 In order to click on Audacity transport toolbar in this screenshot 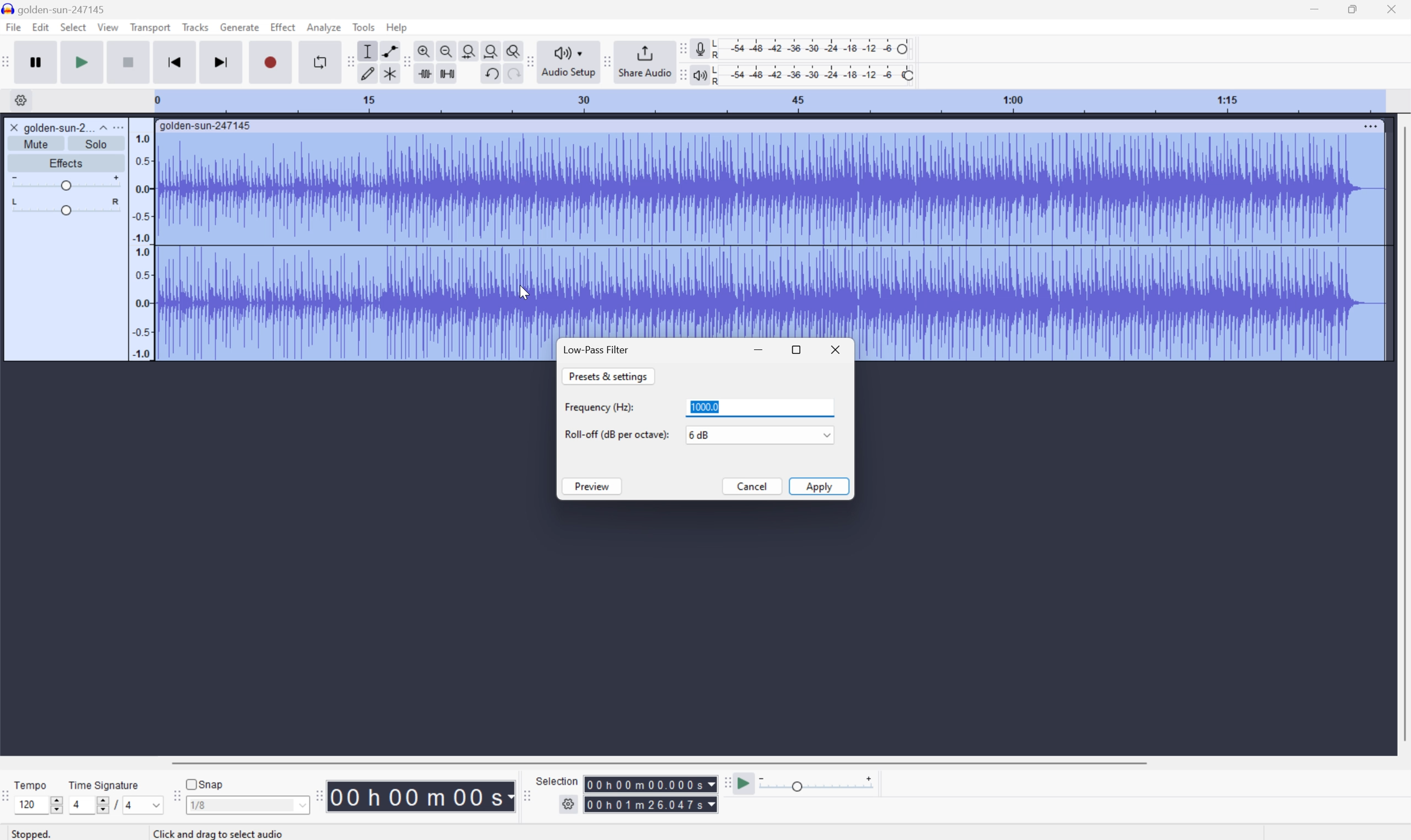, I will do `click(9, 60)`.